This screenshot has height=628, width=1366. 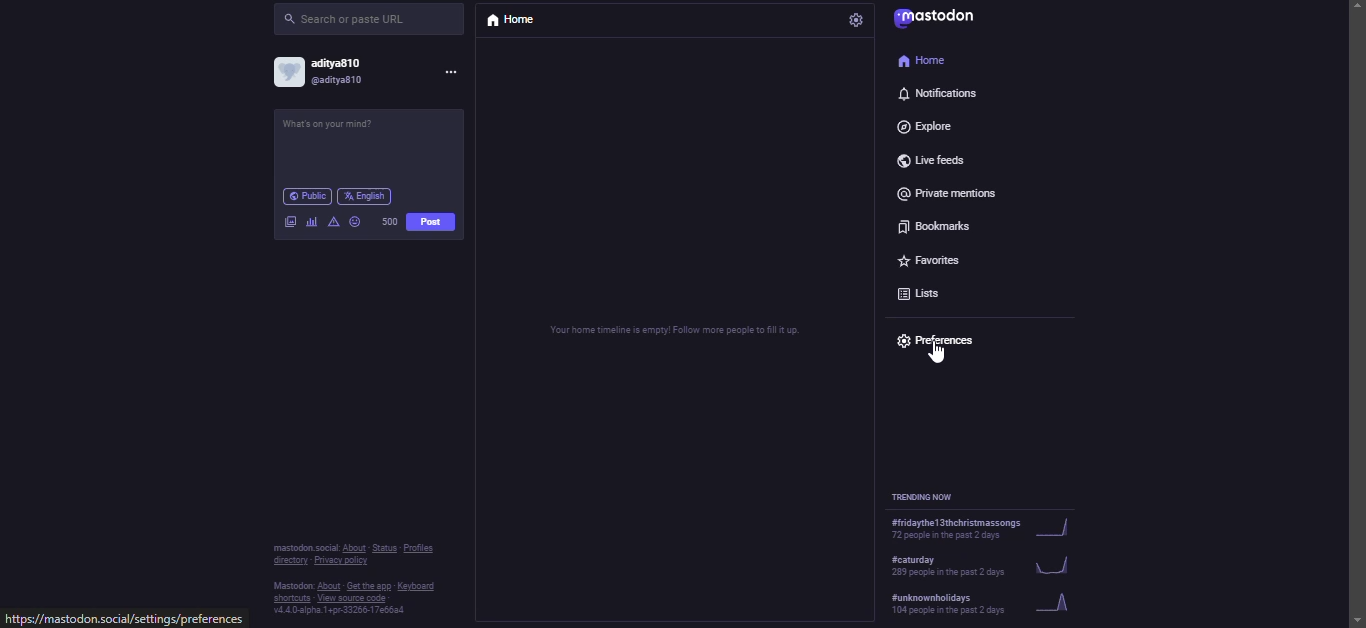 What do you see at coordinates (332, 600) in the screenshot?
I see `shortcuts • View source code` at bounding box center [332, 600].